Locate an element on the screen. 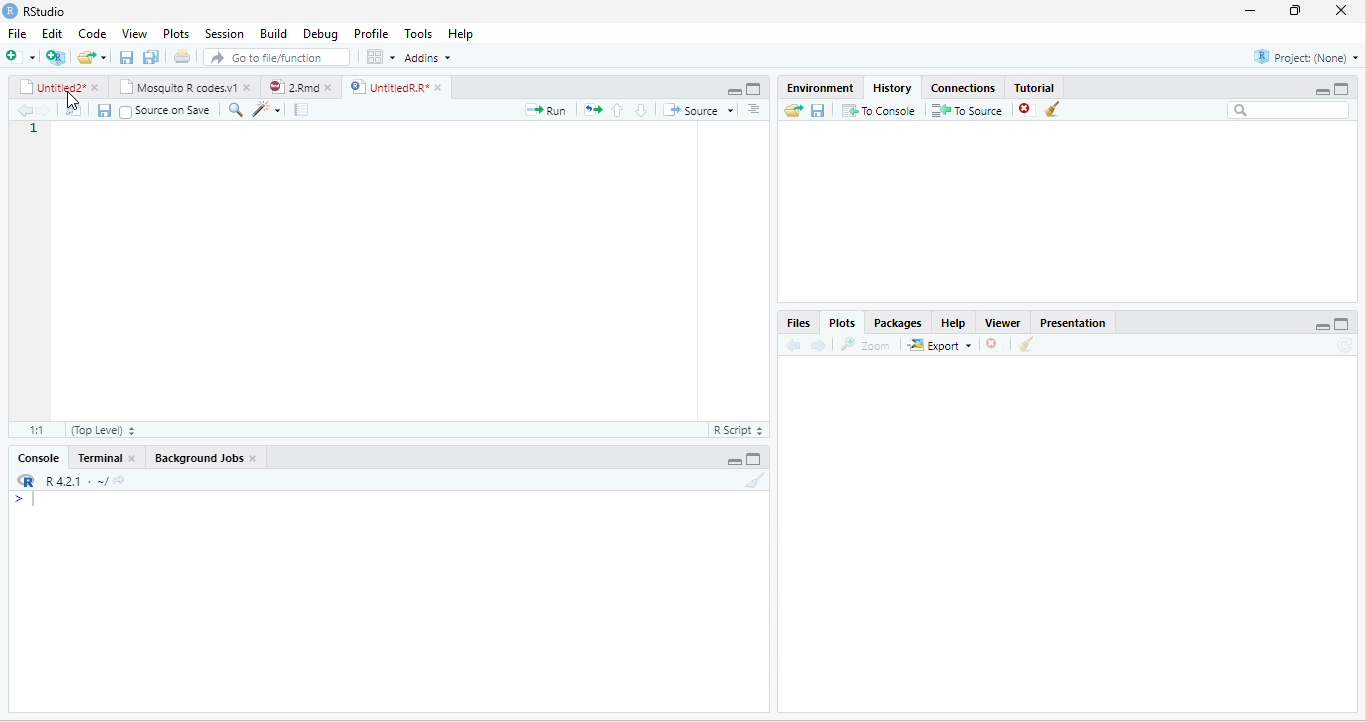 This screenshot has width=1366, height=722. R is located at coordinates (72, 481).